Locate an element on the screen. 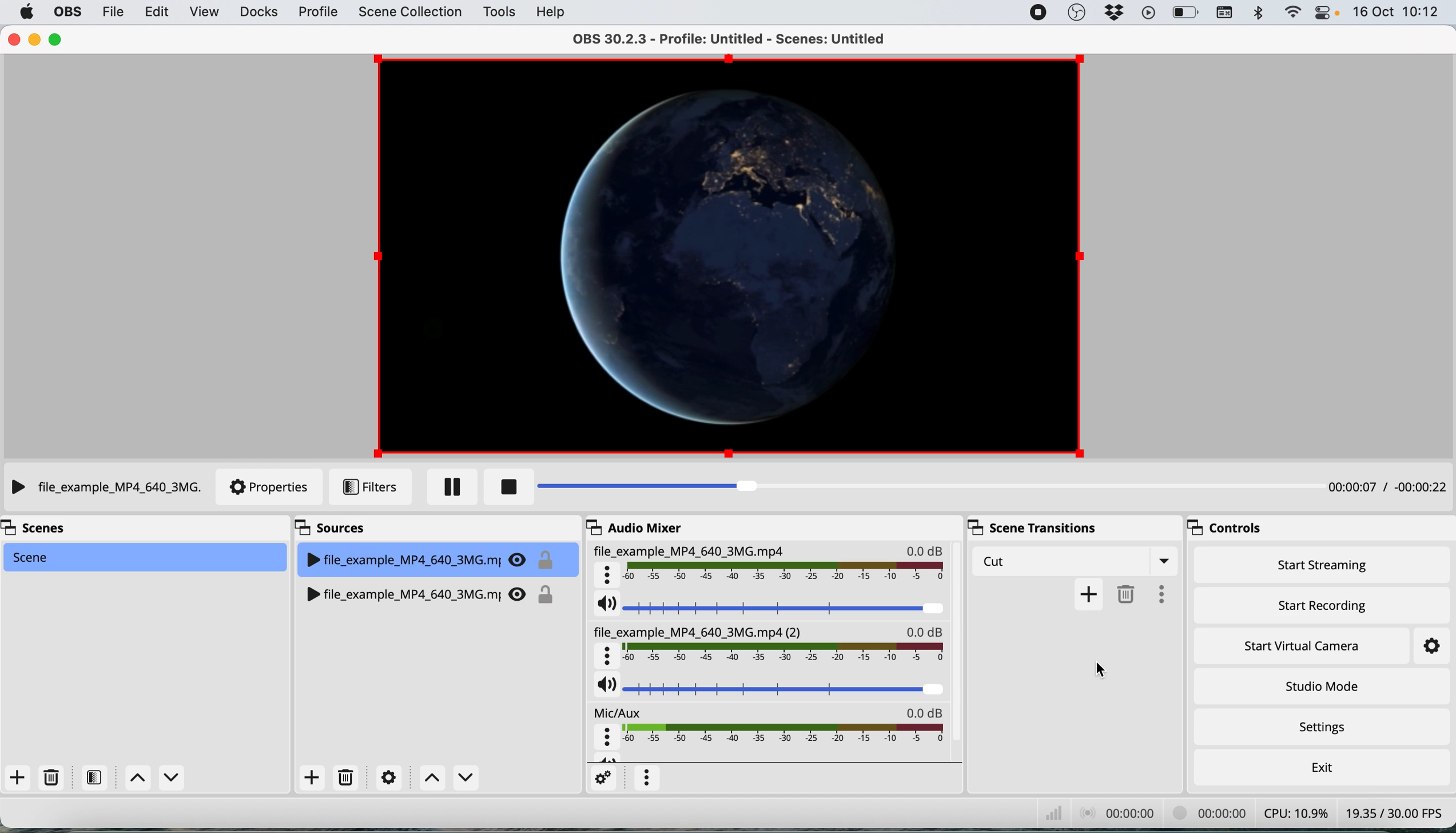 The width and height of the screenshot is (1456, 833). add scene is located at coordinates (17, 776).